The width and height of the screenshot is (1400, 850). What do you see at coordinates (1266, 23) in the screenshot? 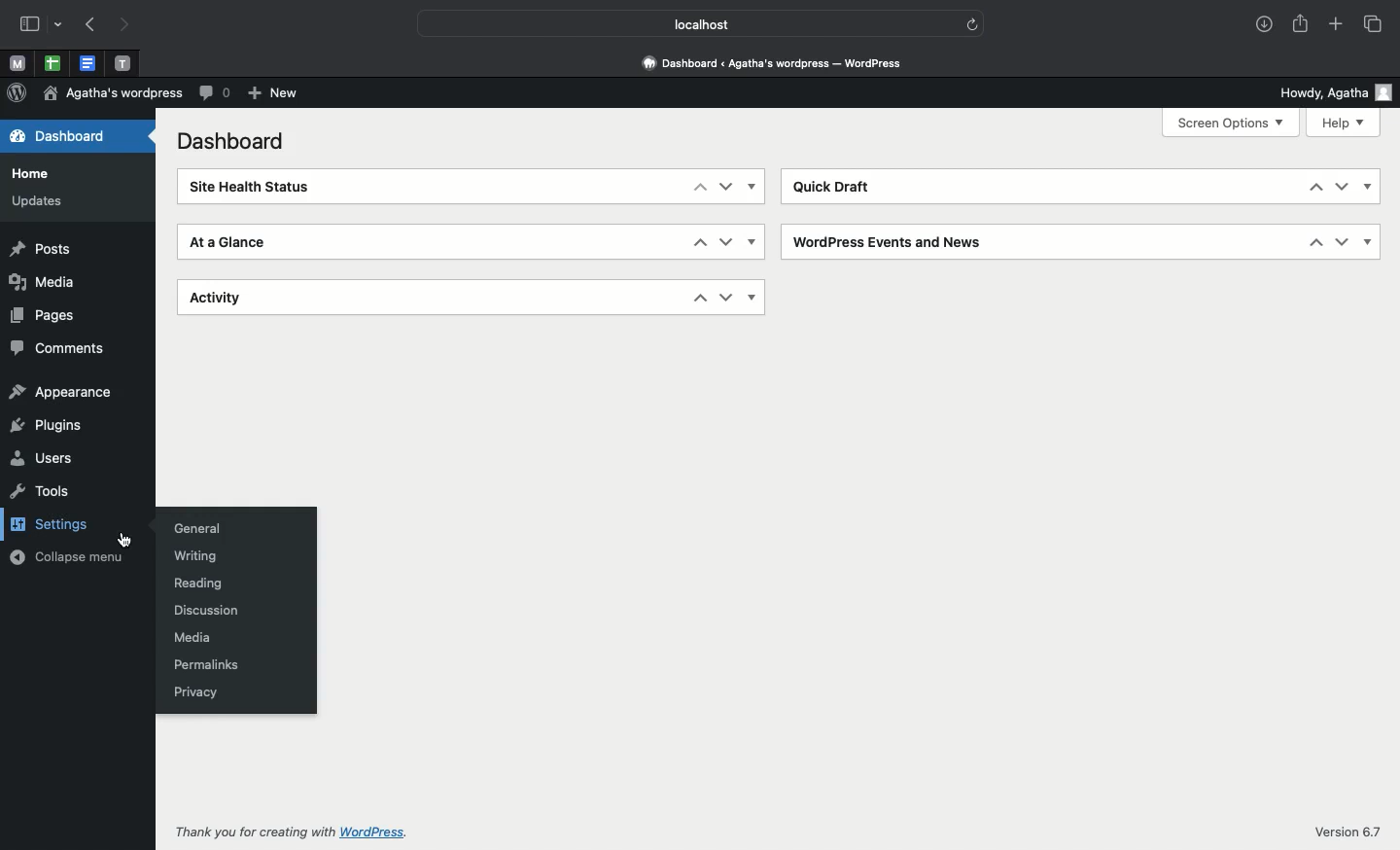
I see `Download` at bounding box center [1266, 23].